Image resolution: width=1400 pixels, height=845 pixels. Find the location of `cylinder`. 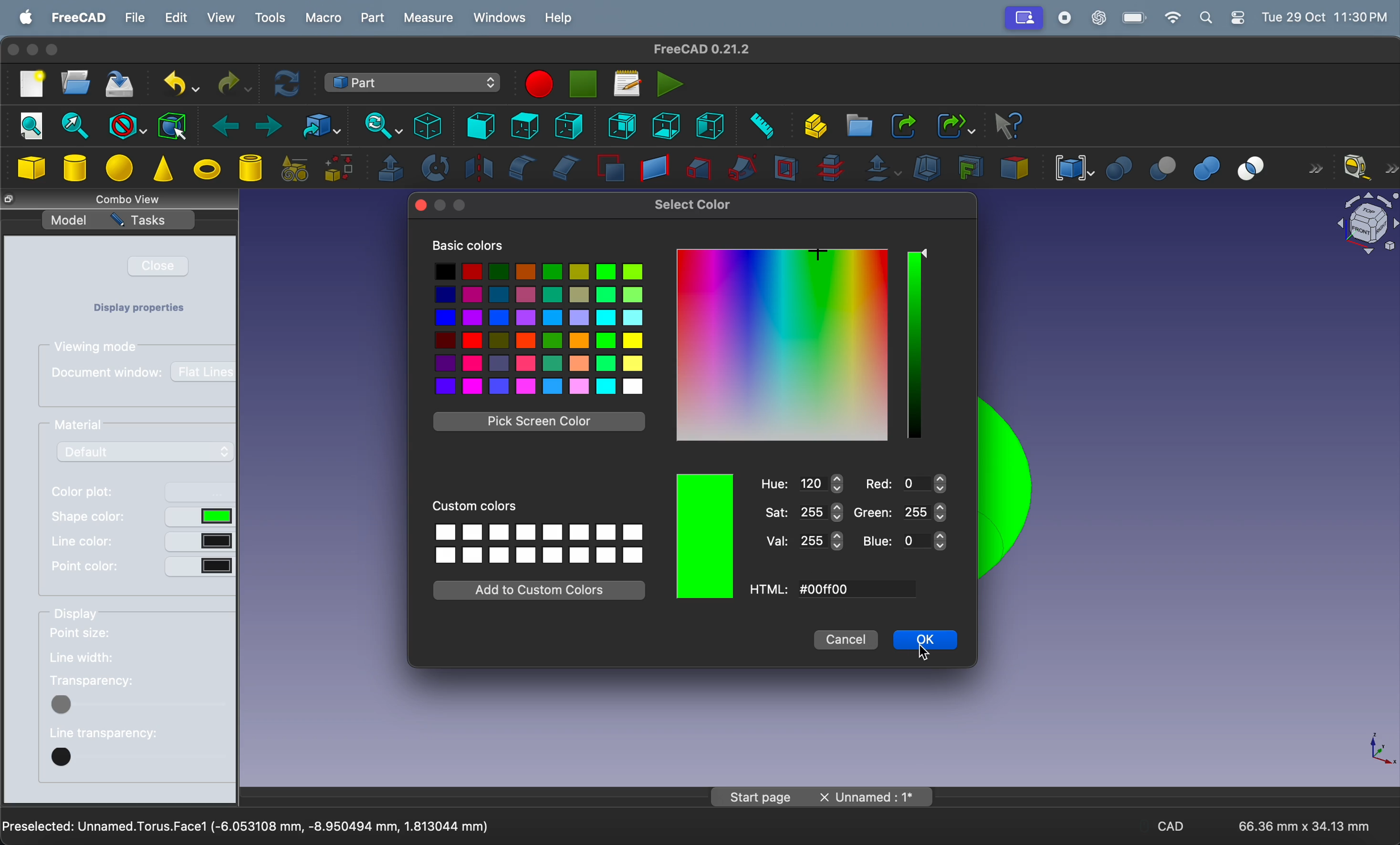

cylinder is located at coordinates (252, 169).